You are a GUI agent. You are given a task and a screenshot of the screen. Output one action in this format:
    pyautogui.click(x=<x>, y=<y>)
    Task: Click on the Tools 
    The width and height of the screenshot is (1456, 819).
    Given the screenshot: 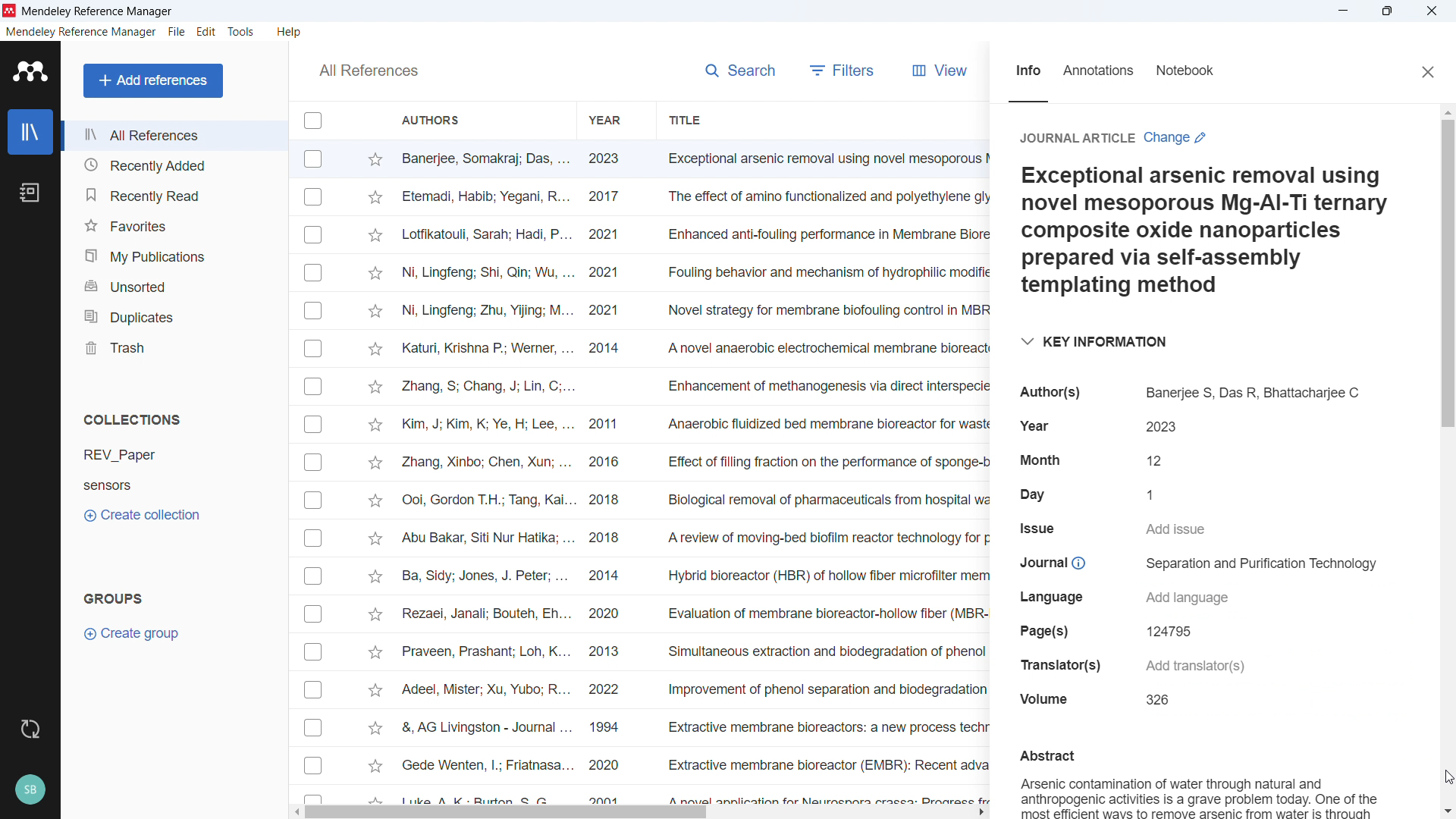 What is the action you would take?
    pyautogui.click(x=243, y=32)
    